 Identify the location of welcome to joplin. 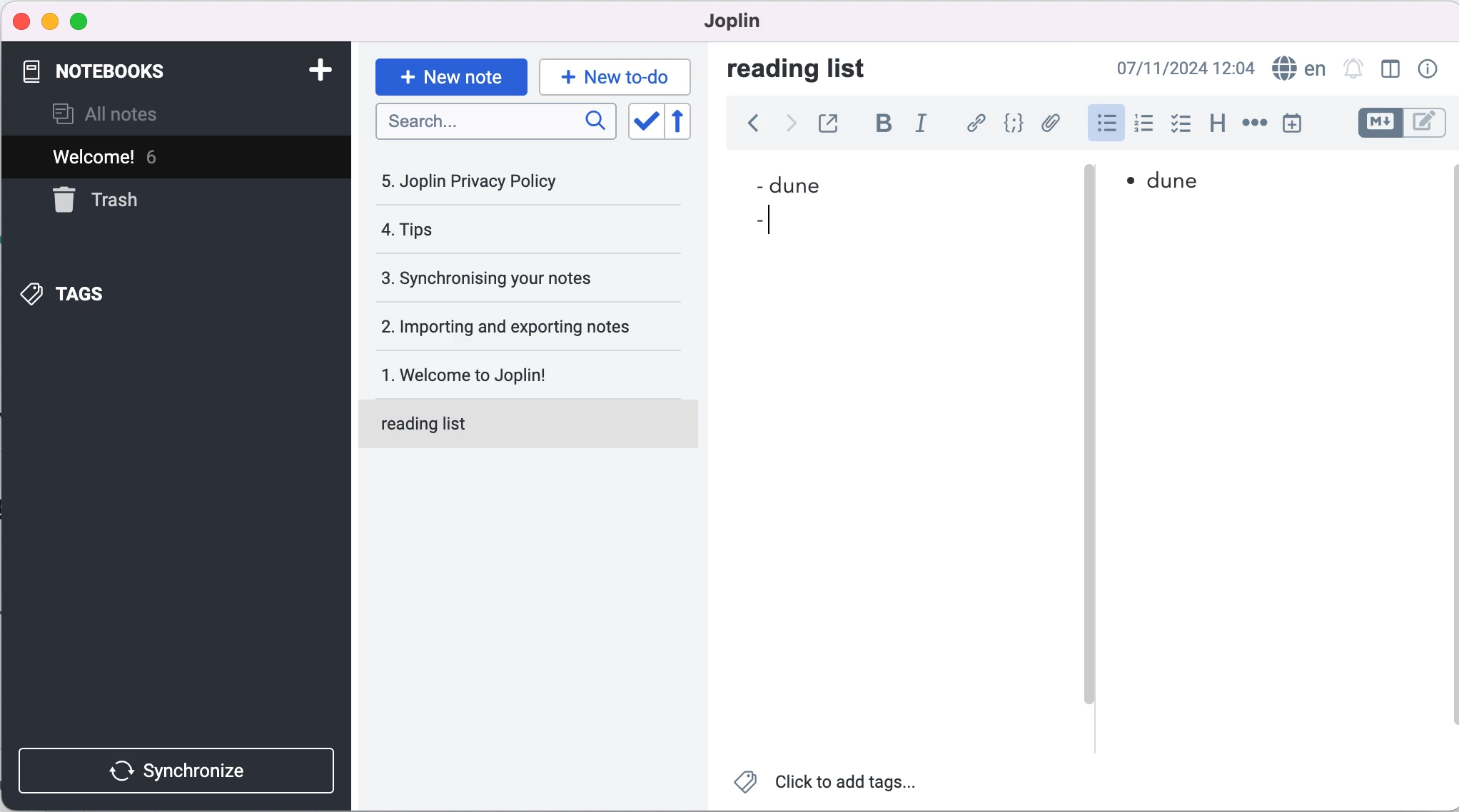
(532, 367).